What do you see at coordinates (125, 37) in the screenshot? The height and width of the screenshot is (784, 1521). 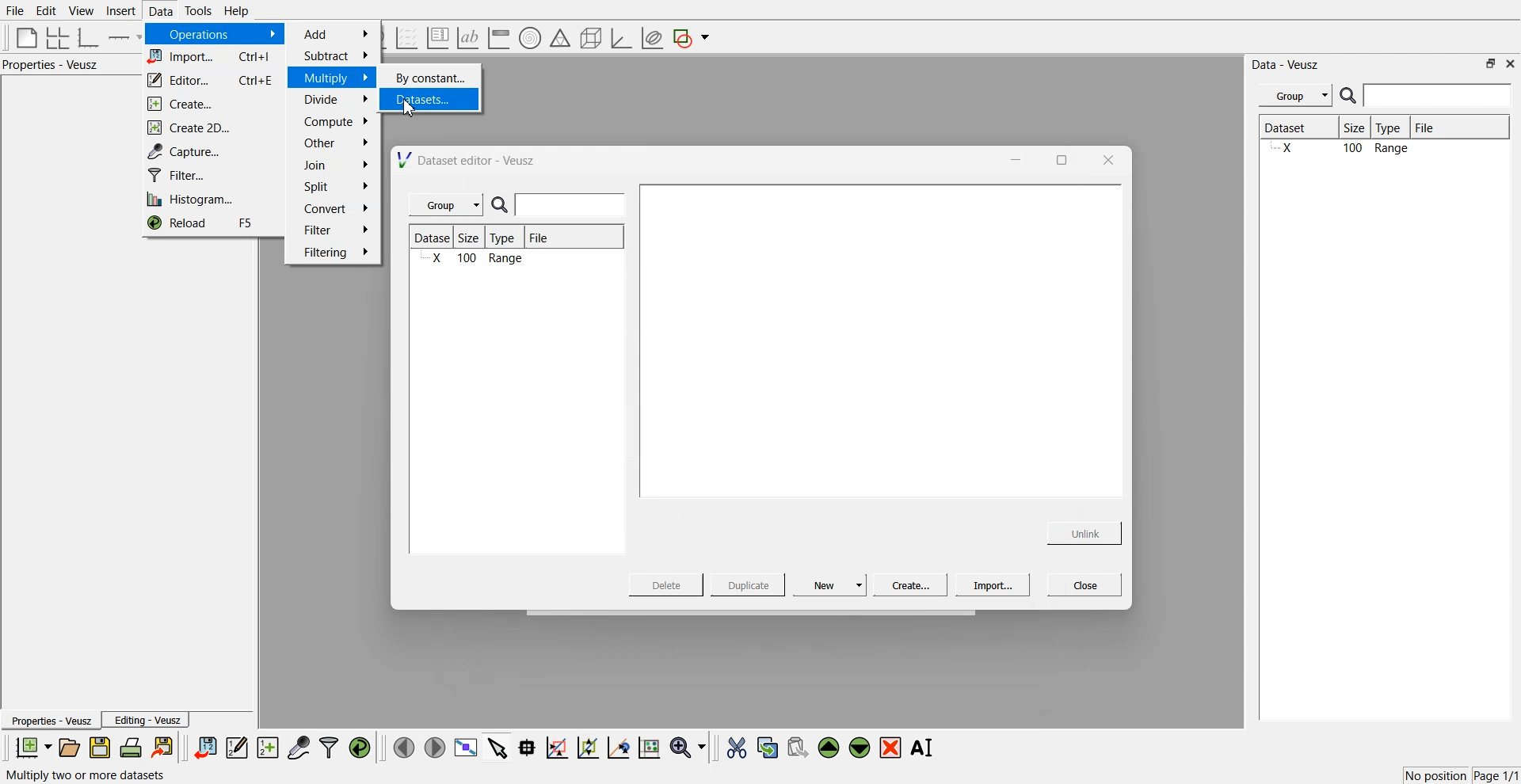 I see `add an axis` at bounding box center [125, 37].